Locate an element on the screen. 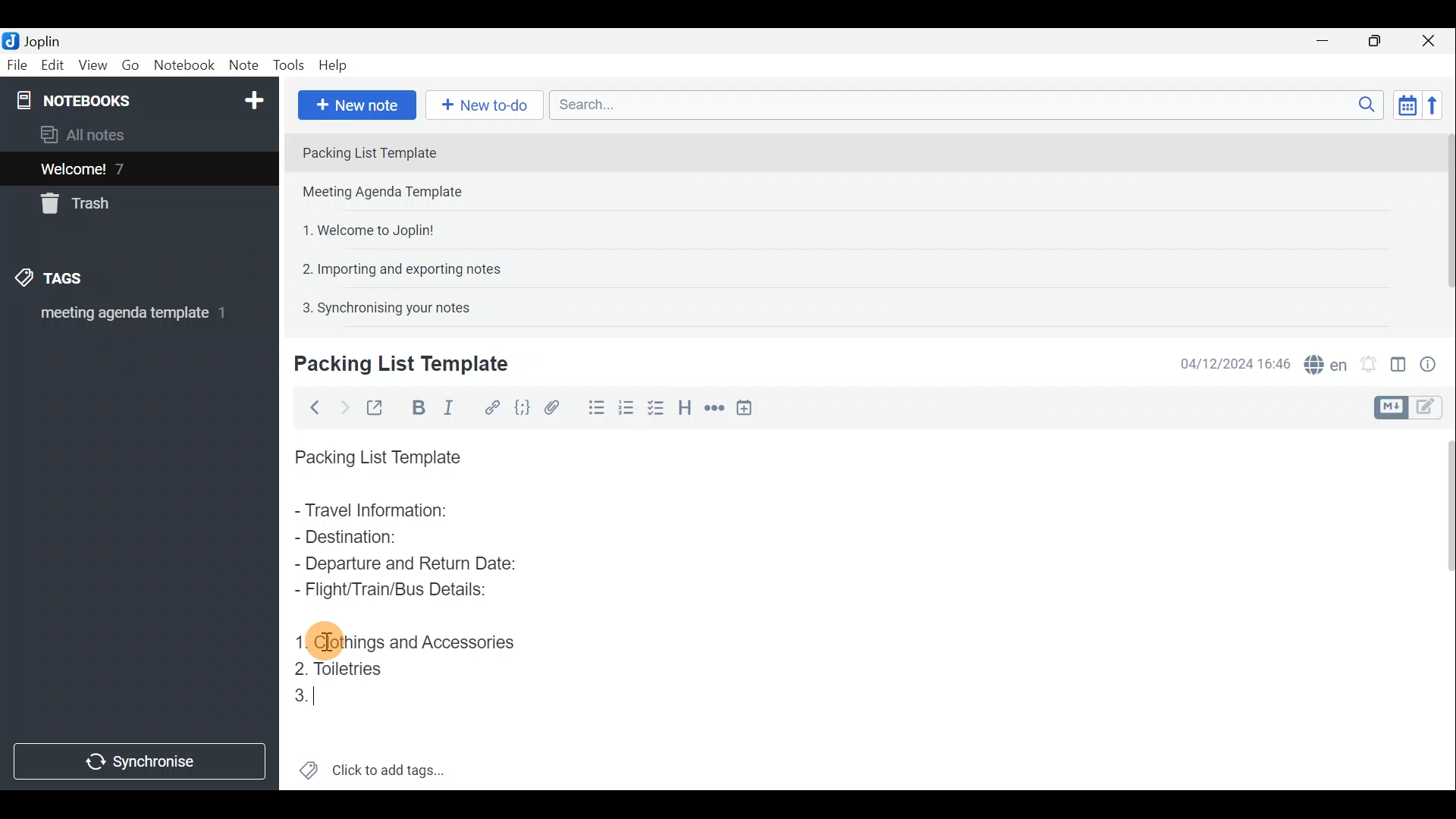  Minimise is located at coordinates (1330, 43).